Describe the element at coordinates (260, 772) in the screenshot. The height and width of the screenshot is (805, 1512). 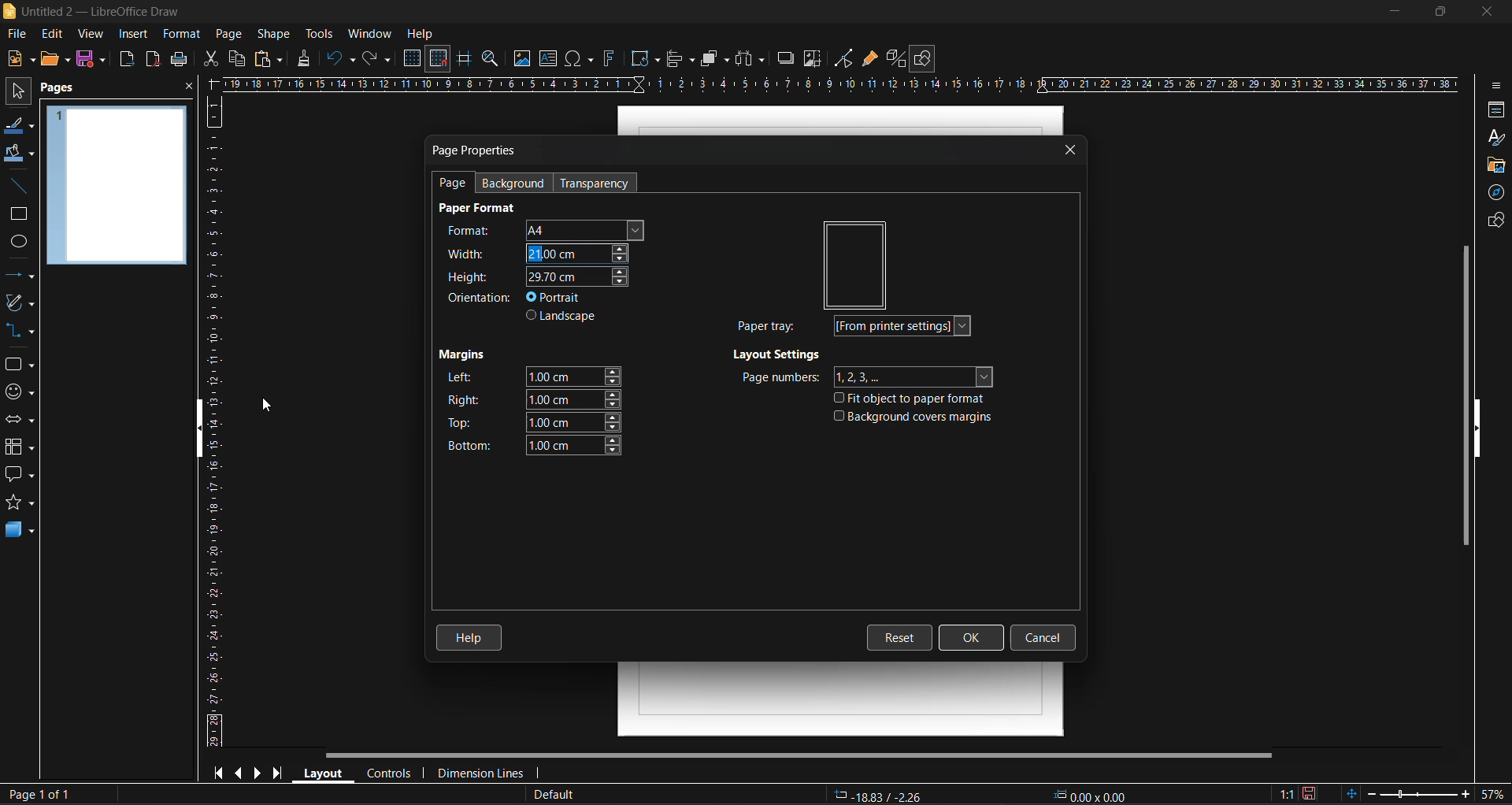
I see `next` at that location.